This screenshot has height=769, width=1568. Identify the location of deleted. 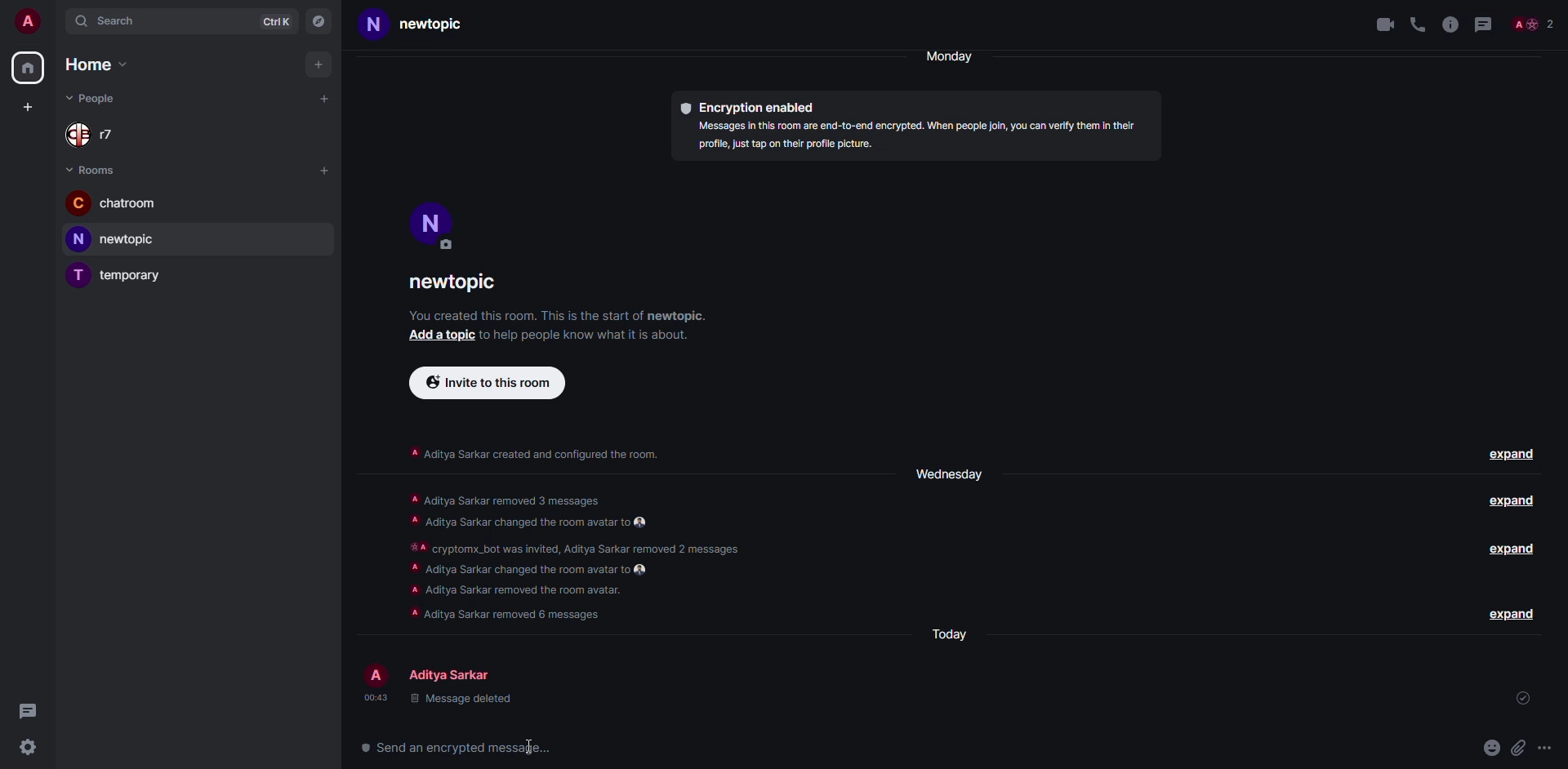
(461, 700).